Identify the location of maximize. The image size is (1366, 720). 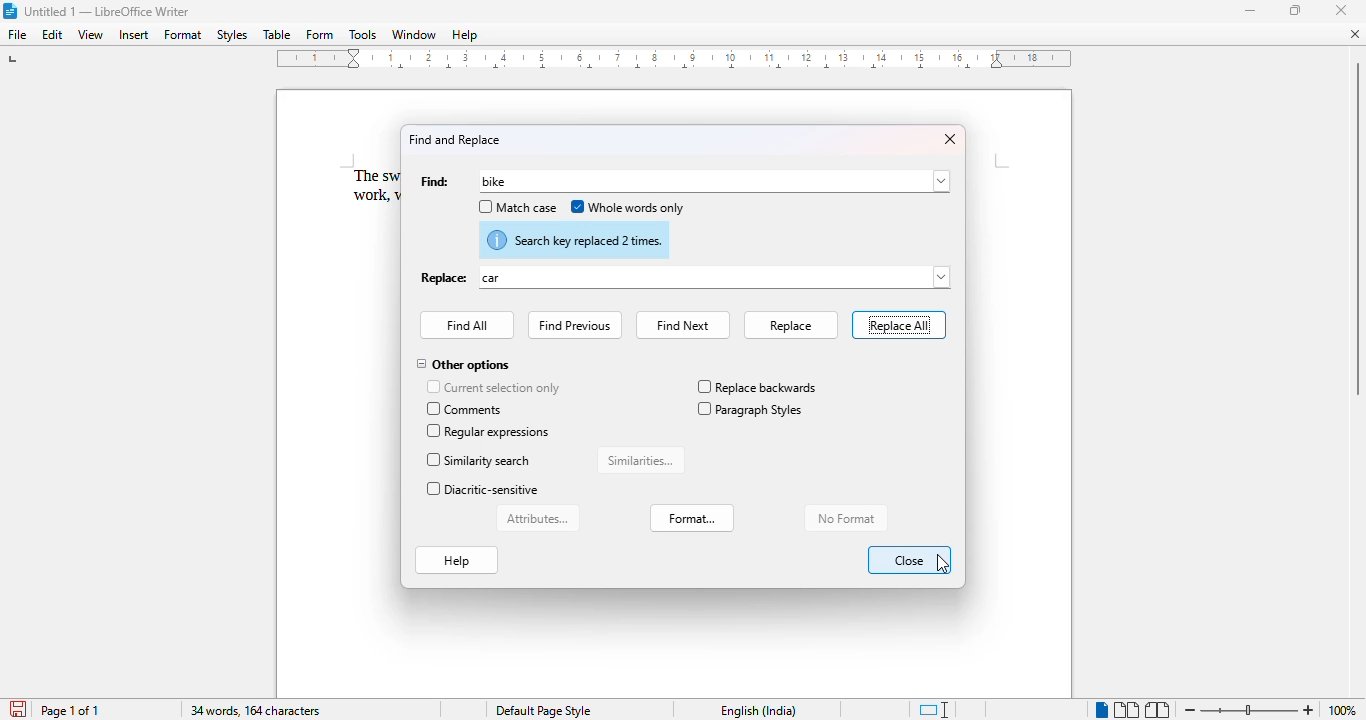
(1297, 10).